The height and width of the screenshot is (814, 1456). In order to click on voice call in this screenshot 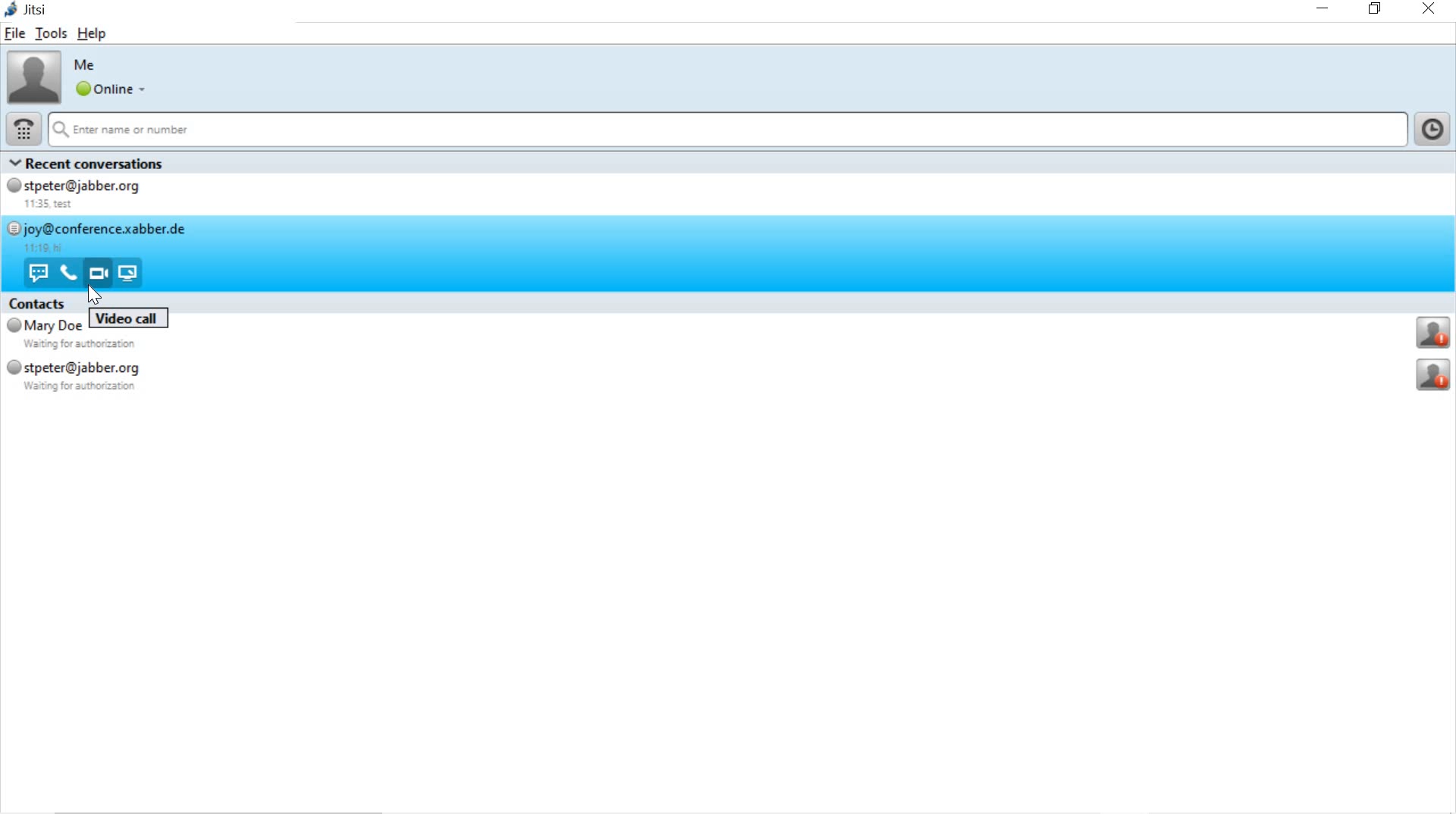, I will do `click(67, 274)`.